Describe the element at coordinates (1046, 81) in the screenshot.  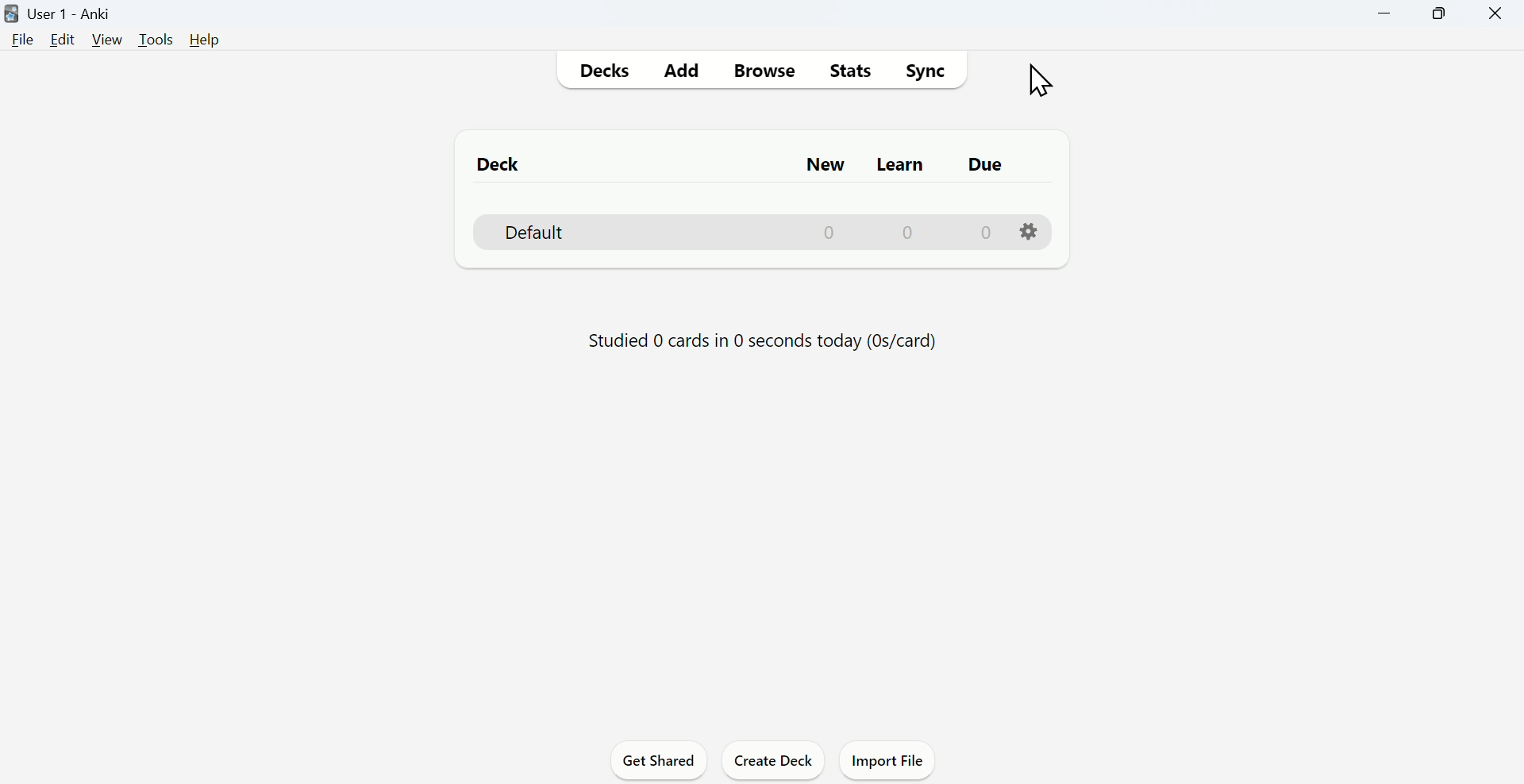
I see `cursor` at that location.